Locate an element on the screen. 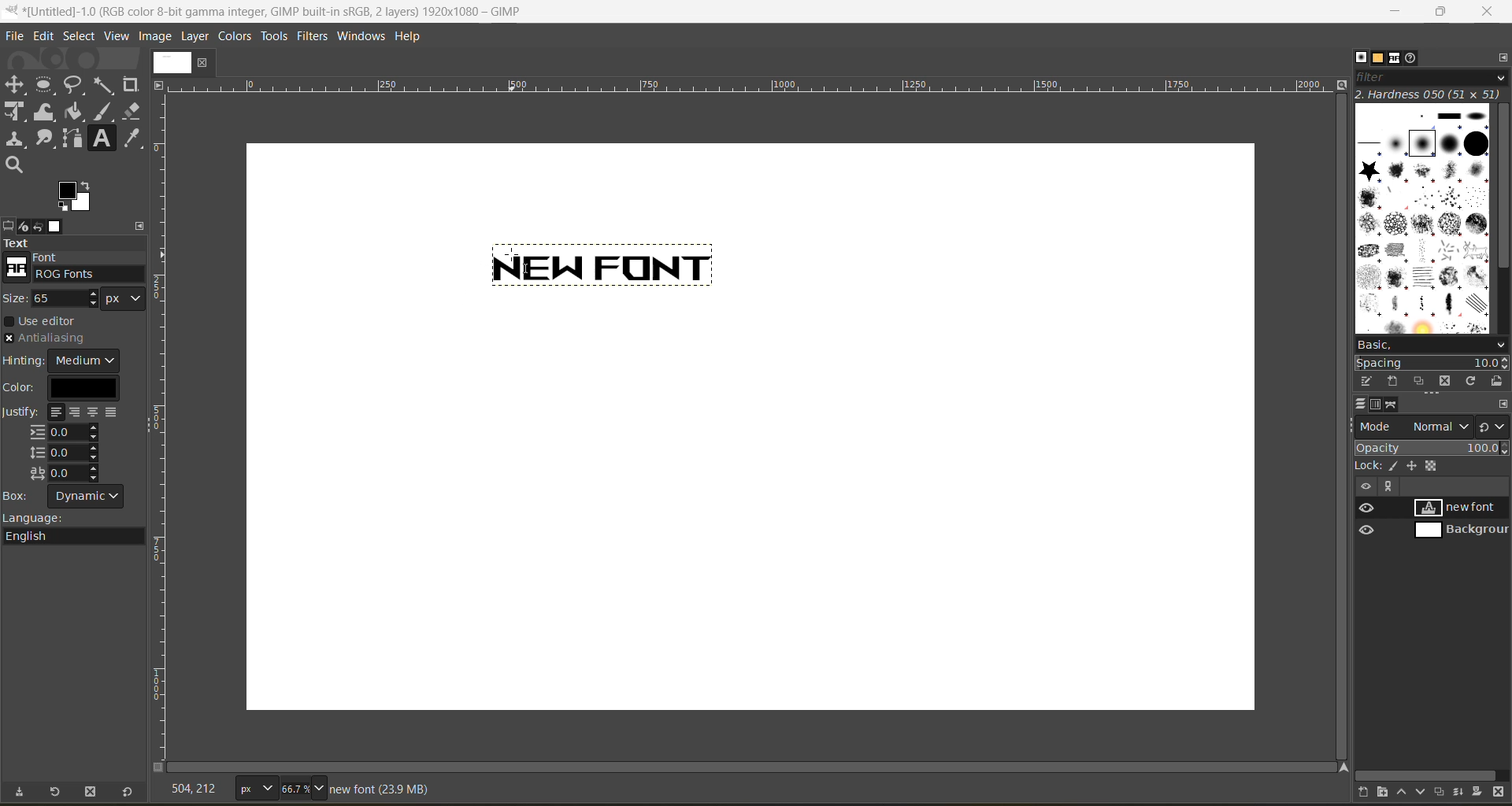 This screenshot has width=1512, height=806. restore tool preset is located at coordinates (57, 792).